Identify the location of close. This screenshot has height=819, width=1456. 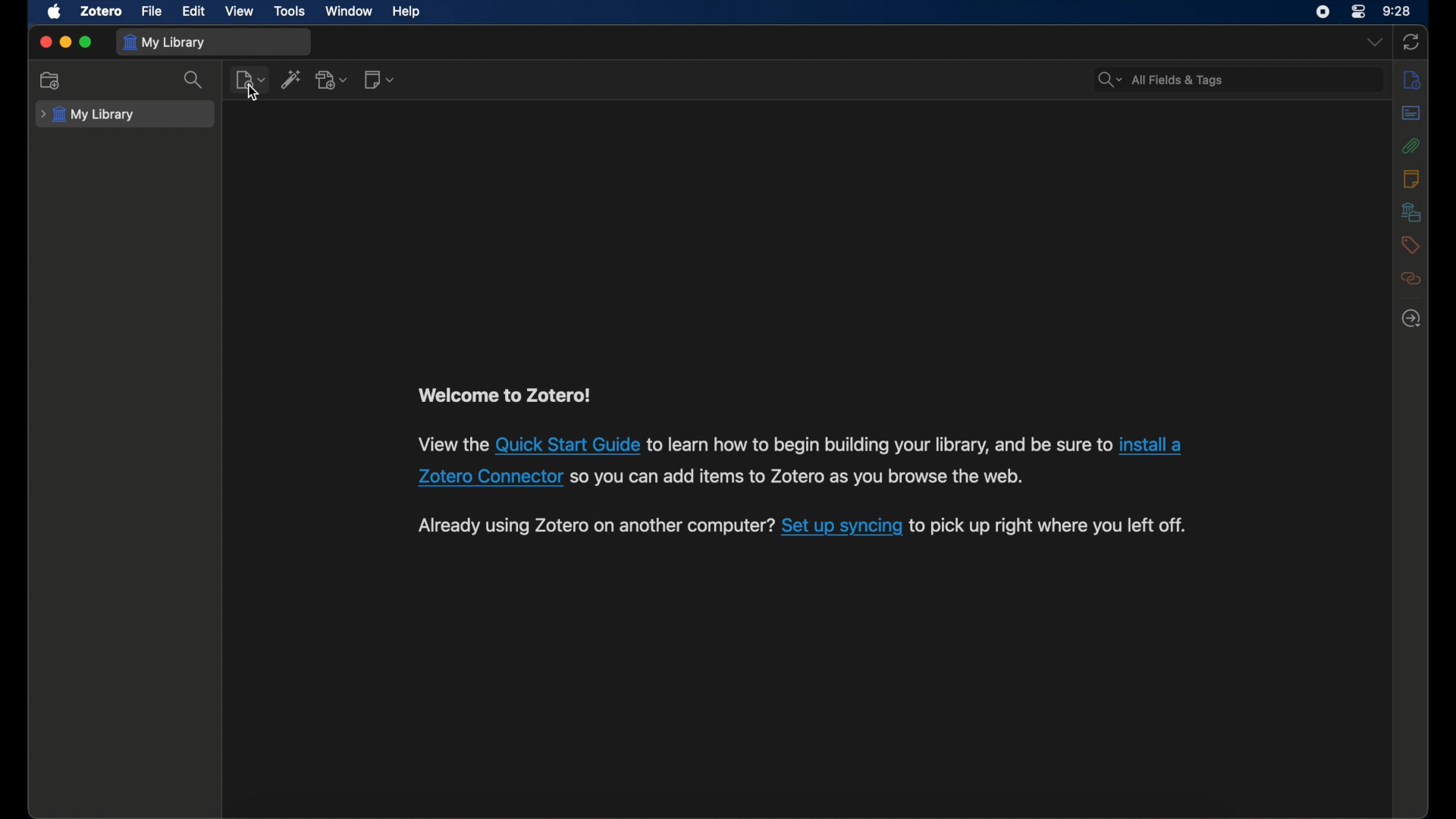
(45, 42).